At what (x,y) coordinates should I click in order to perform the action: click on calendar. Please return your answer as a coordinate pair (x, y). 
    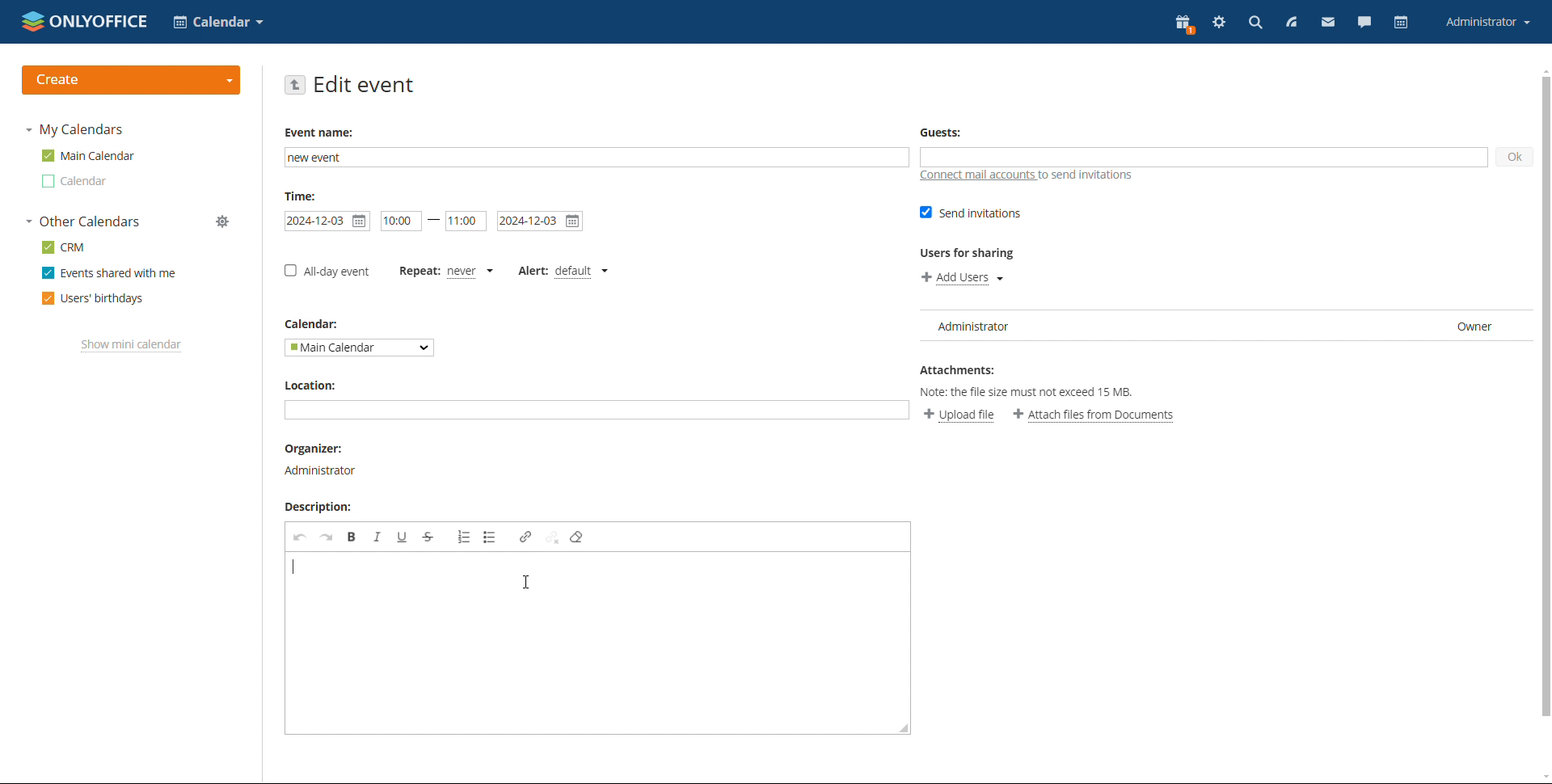
    Looking at the image, I should click on (1402, 22).